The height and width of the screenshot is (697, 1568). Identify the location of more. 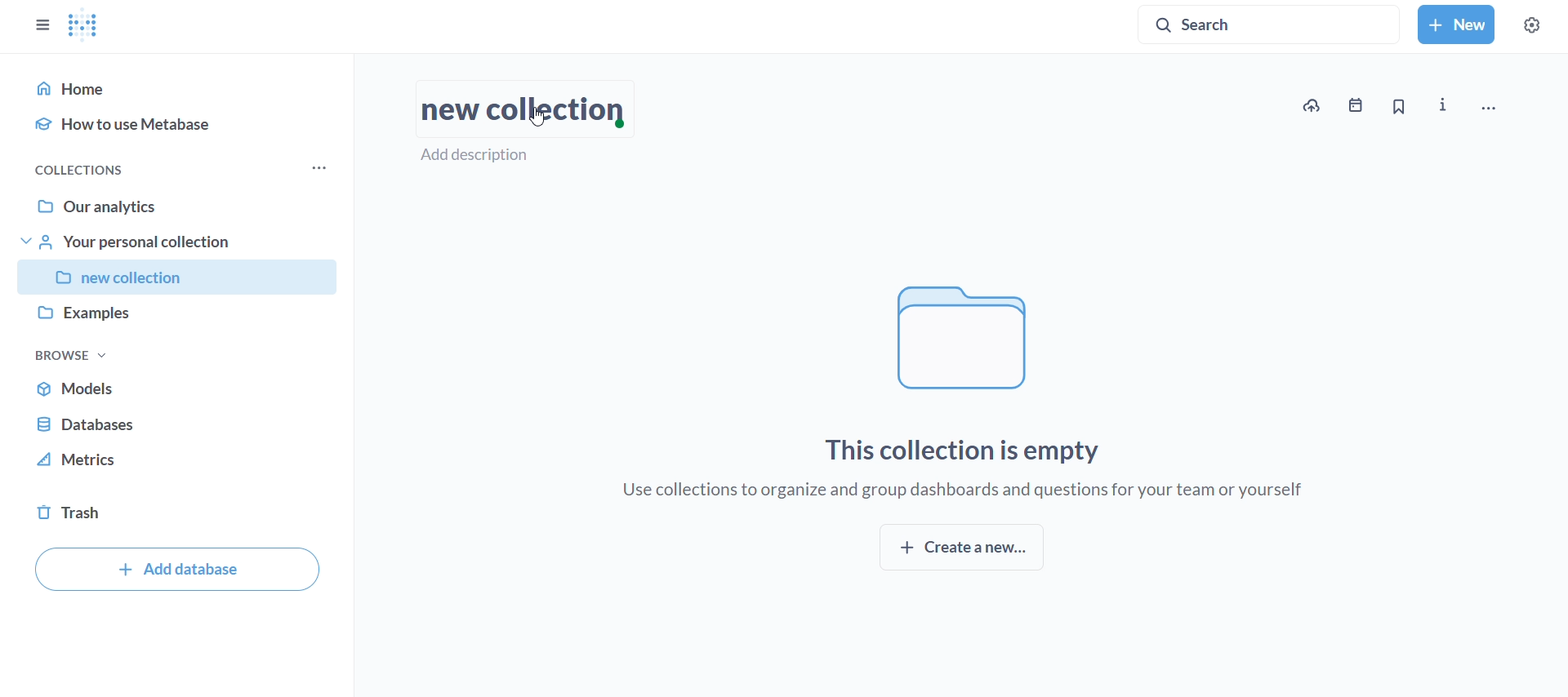
(323, 168).